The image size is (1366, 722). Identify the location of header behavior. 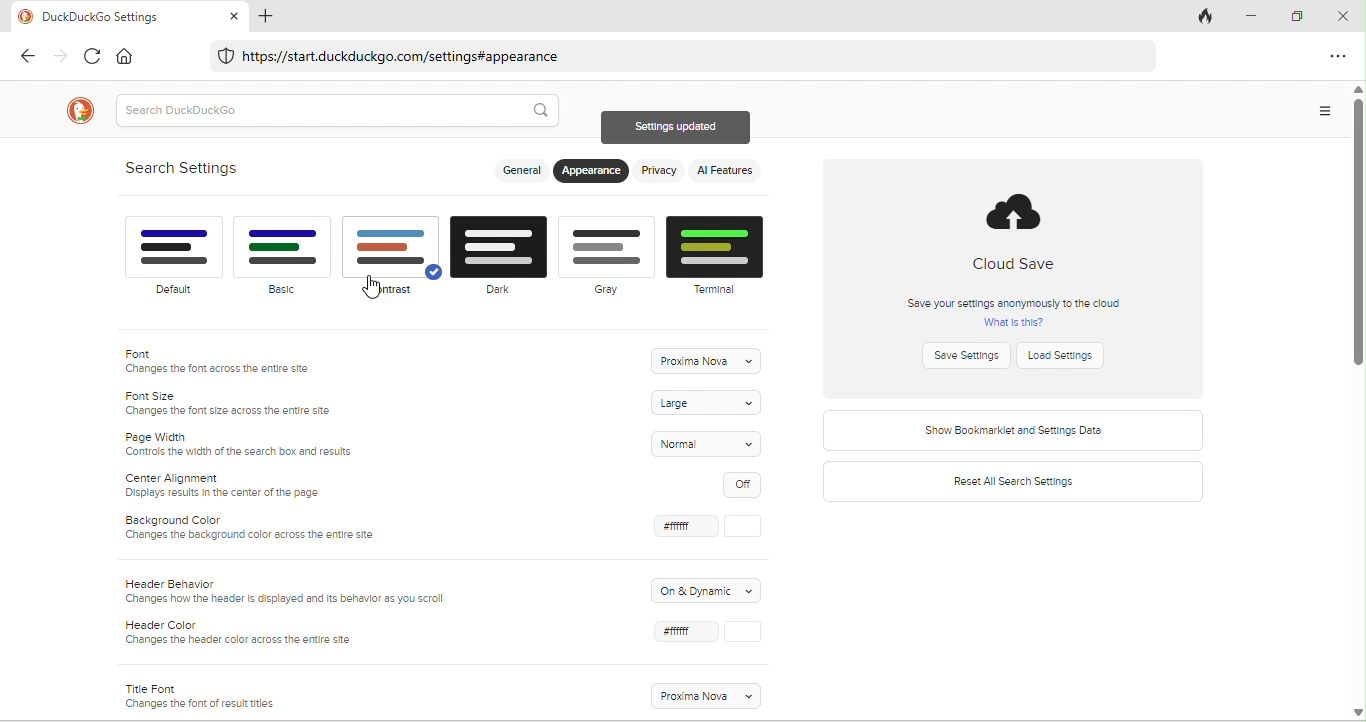
(292, 593).